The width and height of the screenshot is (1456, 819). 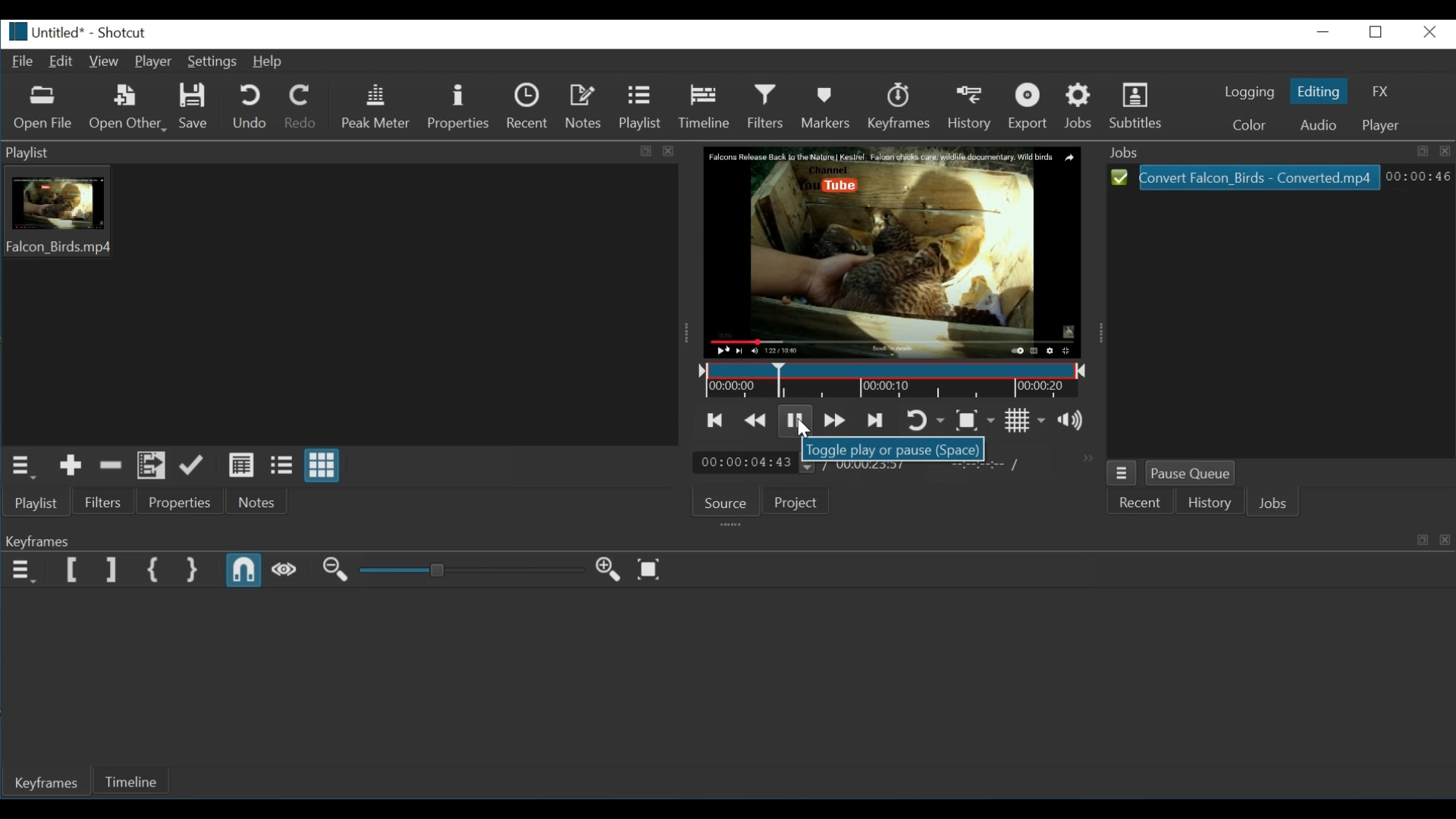 I want to click on Playlist menu, so click(x=21, y=466).